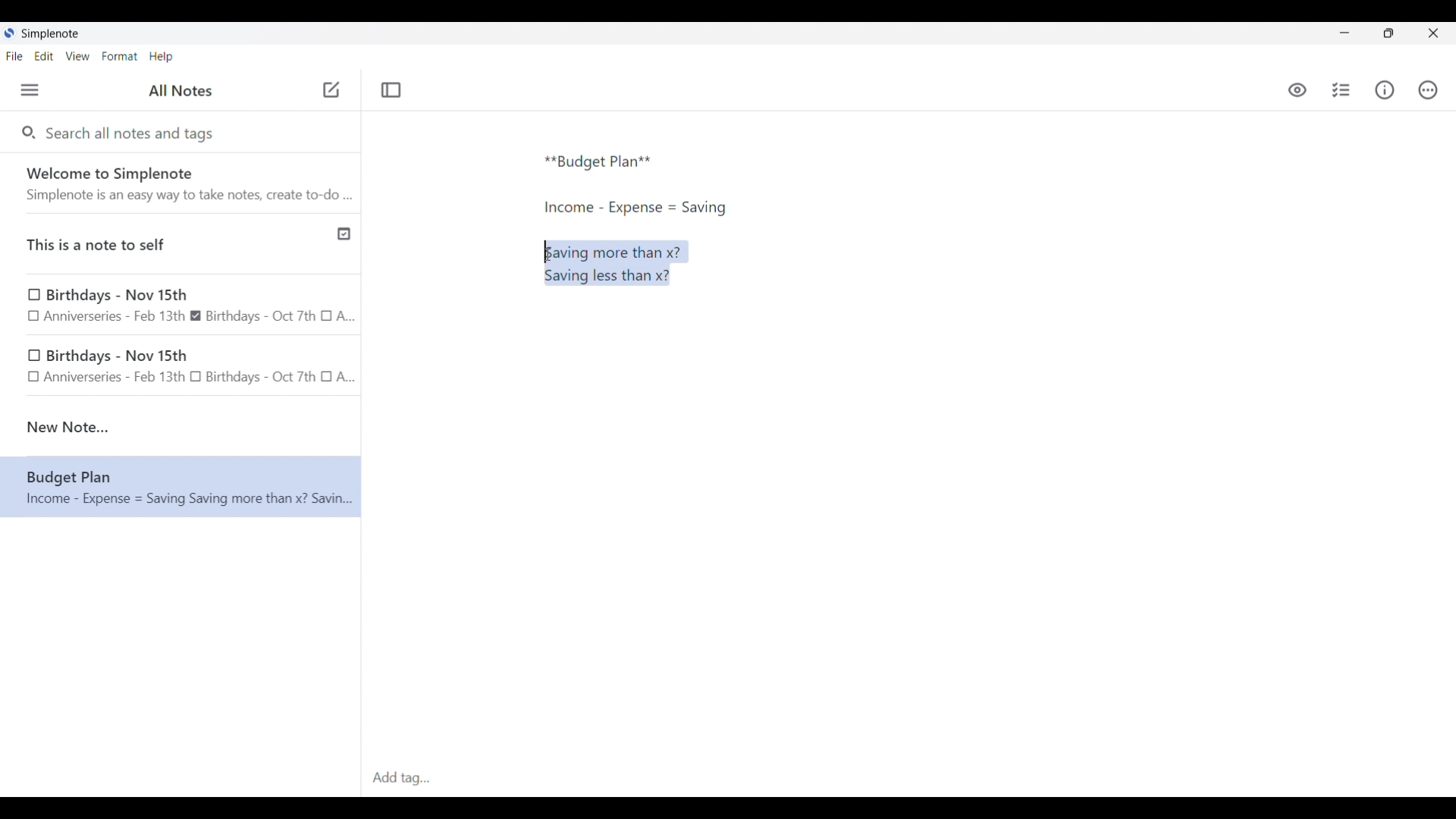 This screenshot has height=819, width=1456. What do you see at coordinates (1345, 33) in the screenshot?
I see `Minimize` at bounding box center [1345, 33].